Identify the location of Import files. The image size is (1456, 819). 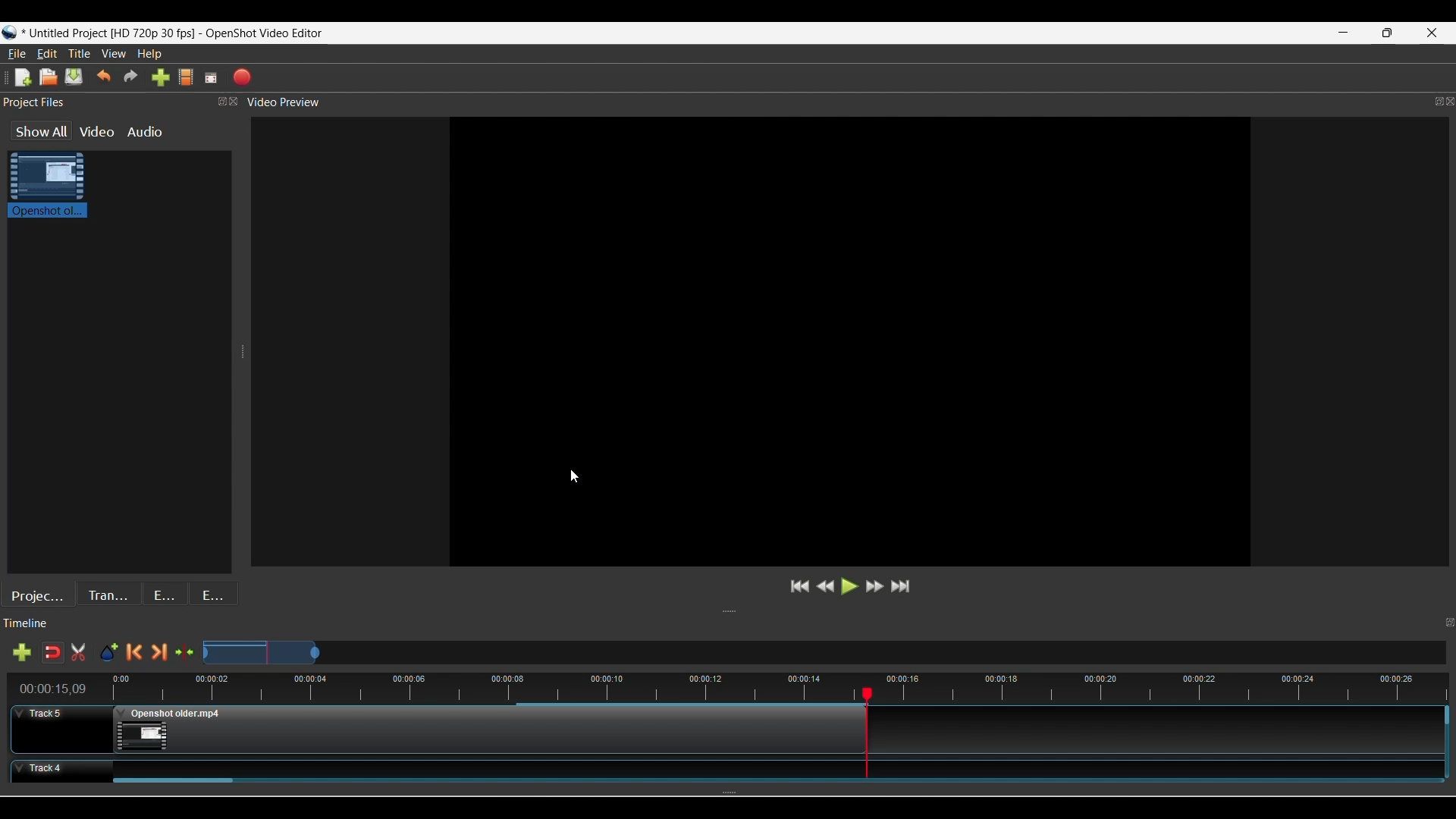
(161, 77).